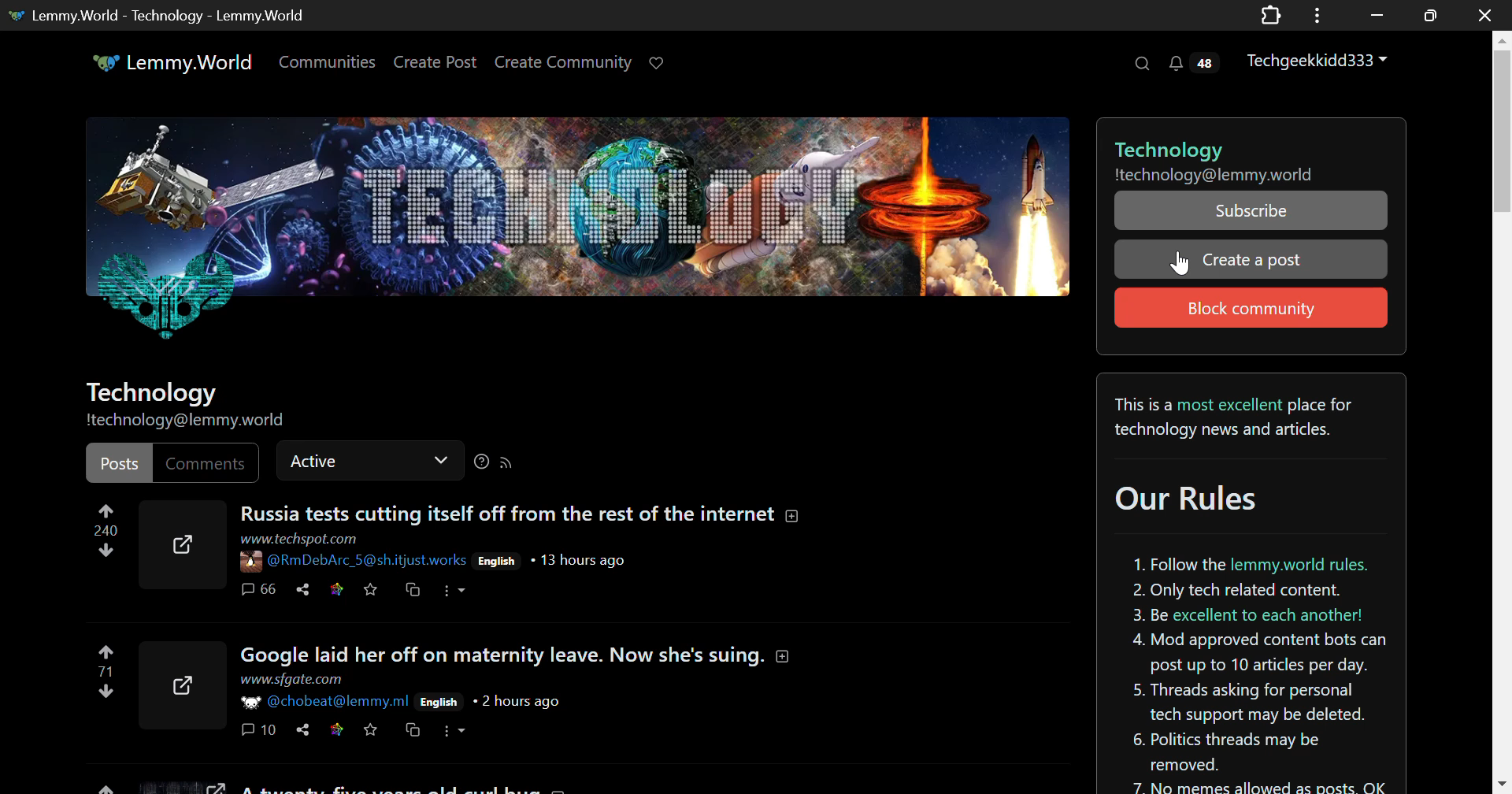  I want to click on !technology@lemmy.world, so click(1221, 175).